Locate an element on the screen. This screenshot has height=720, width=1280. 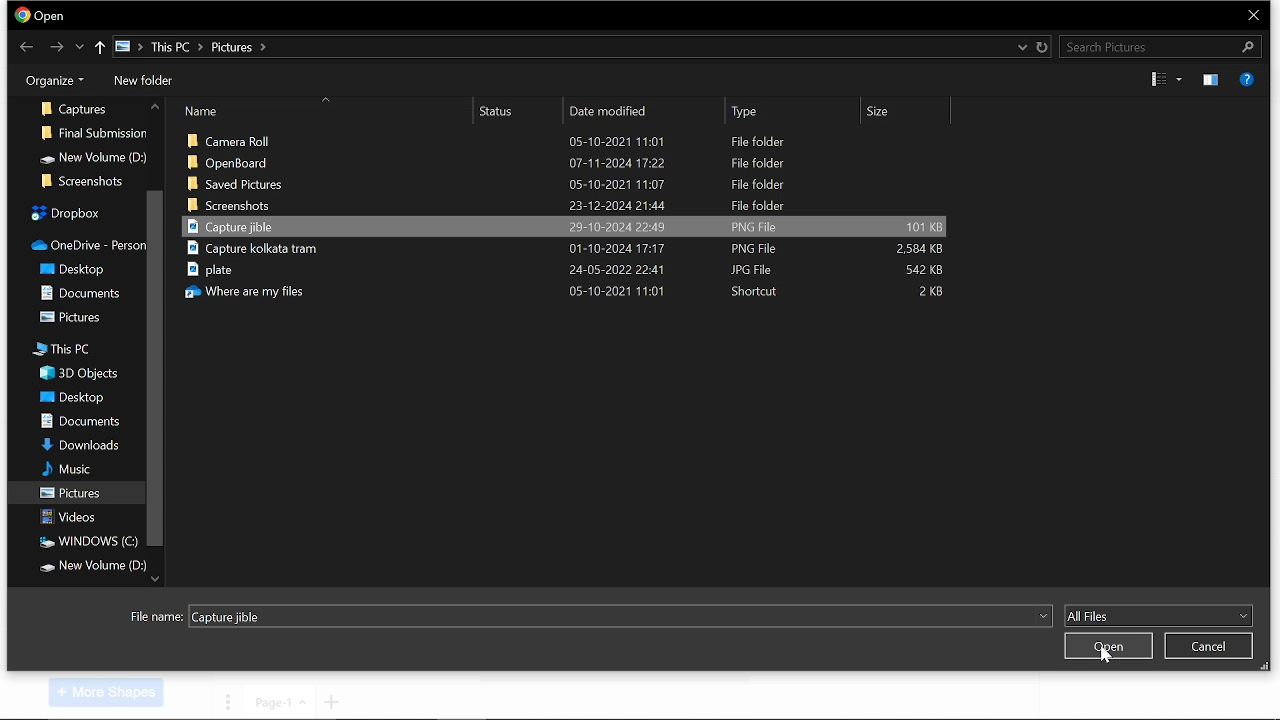
files is located at coordinates (576, 183).